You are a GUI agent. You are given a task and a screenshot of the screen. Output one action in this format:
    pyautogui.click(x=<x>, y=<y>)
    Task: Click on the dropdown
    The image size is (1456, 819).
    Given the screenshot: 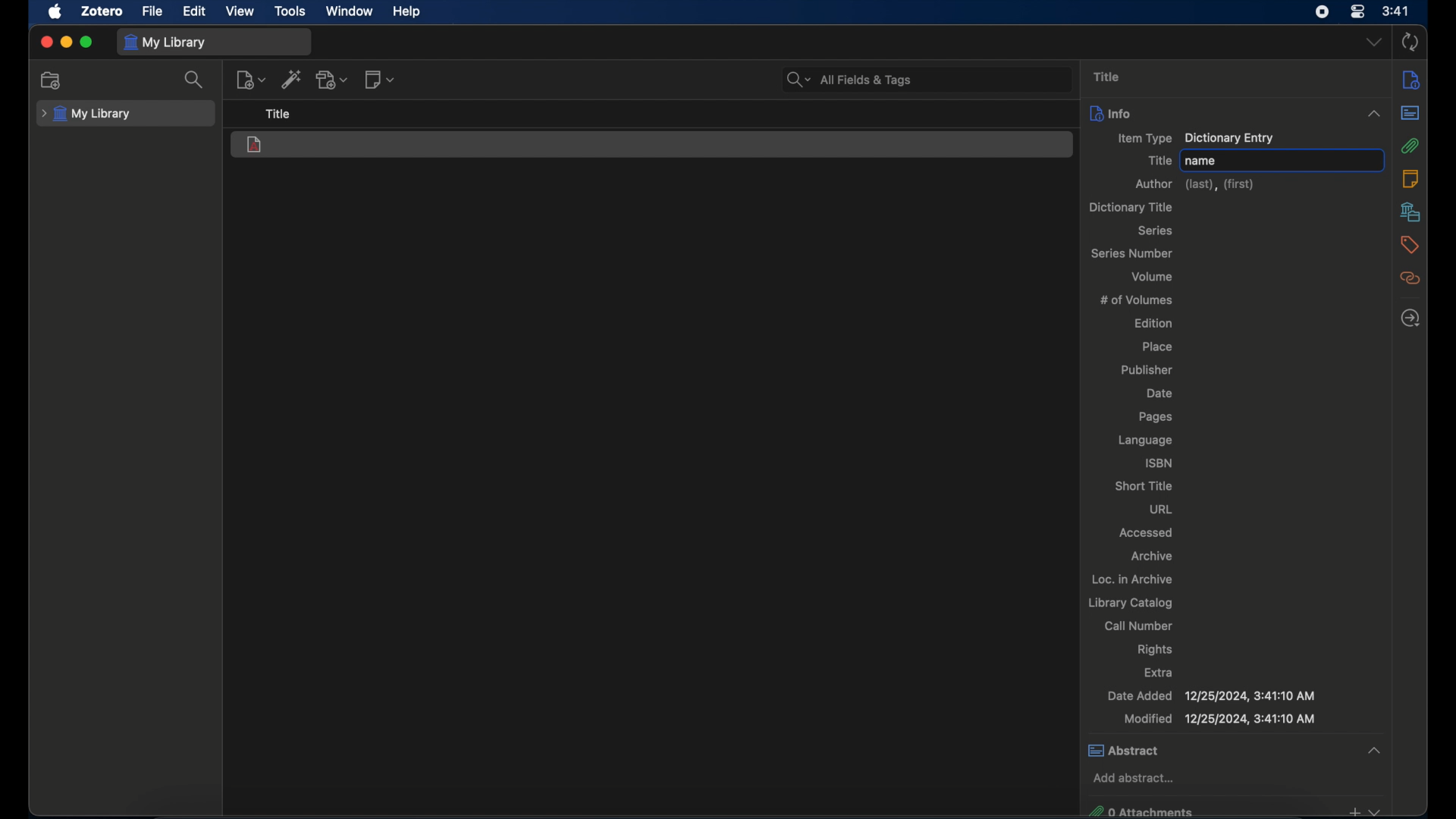 What is the action you would take?
    pyautogui.click(x=1373, y=114)
    